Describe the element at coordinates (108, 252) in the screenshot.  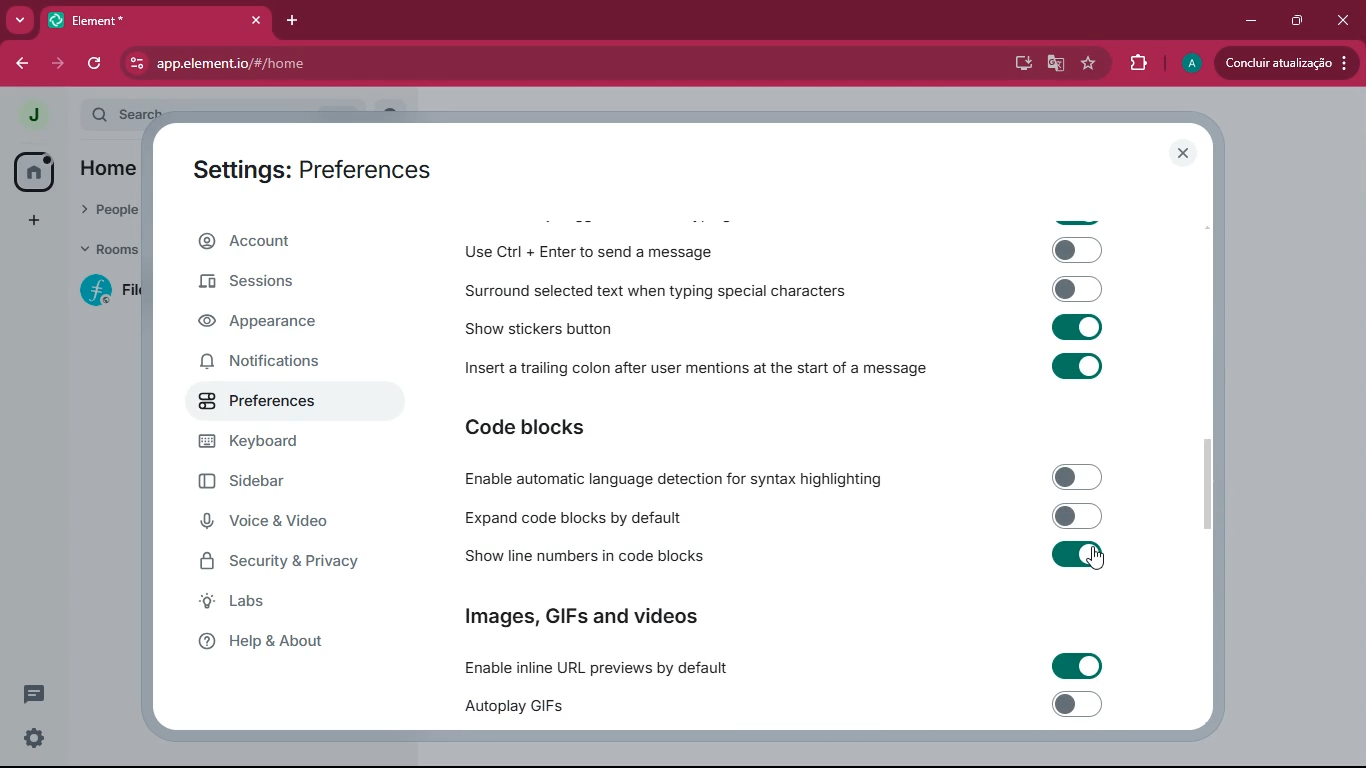
I see `rooms` at that location.